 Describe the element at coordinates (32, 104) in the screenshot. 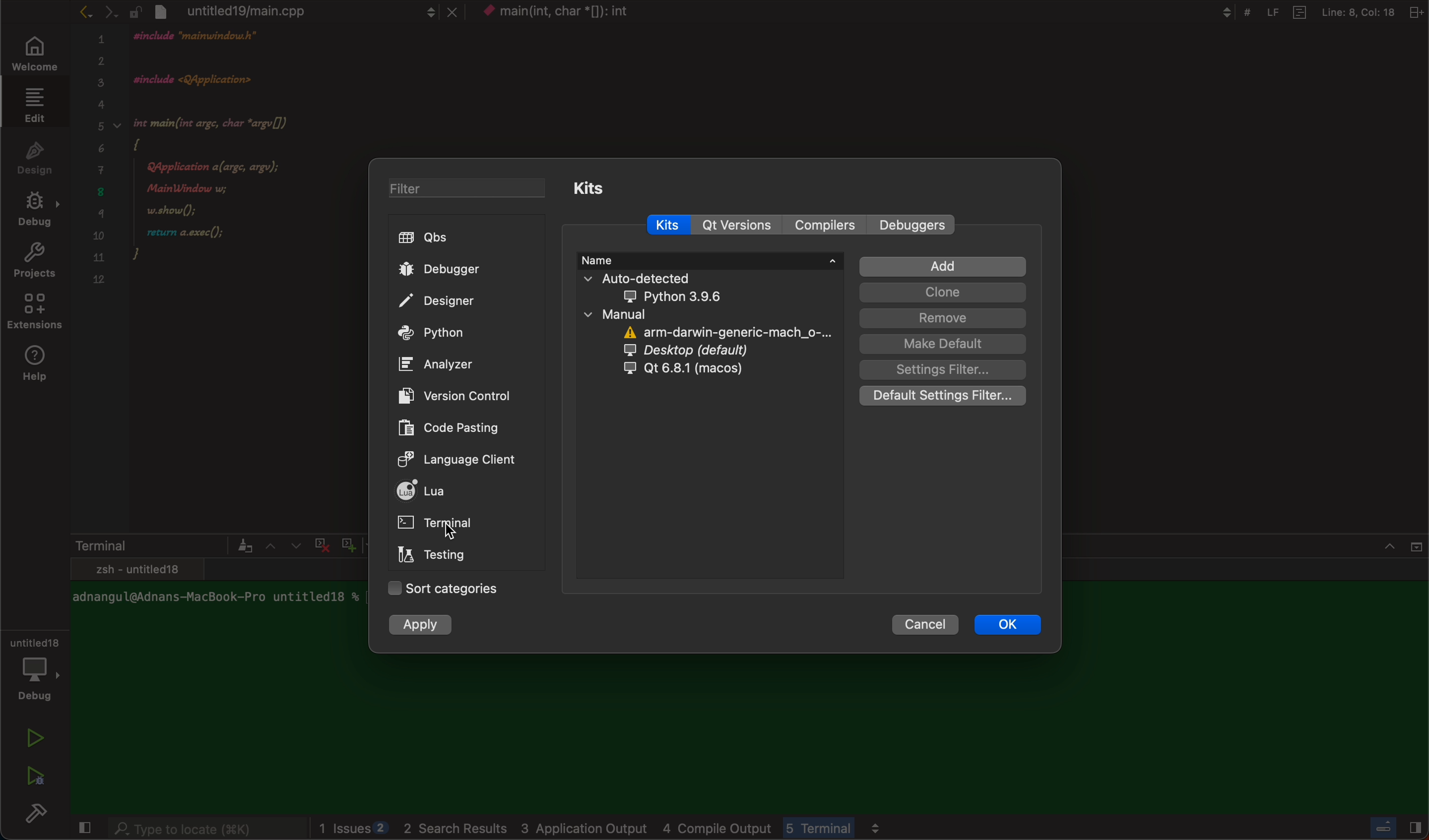

I see `edit` at that location.